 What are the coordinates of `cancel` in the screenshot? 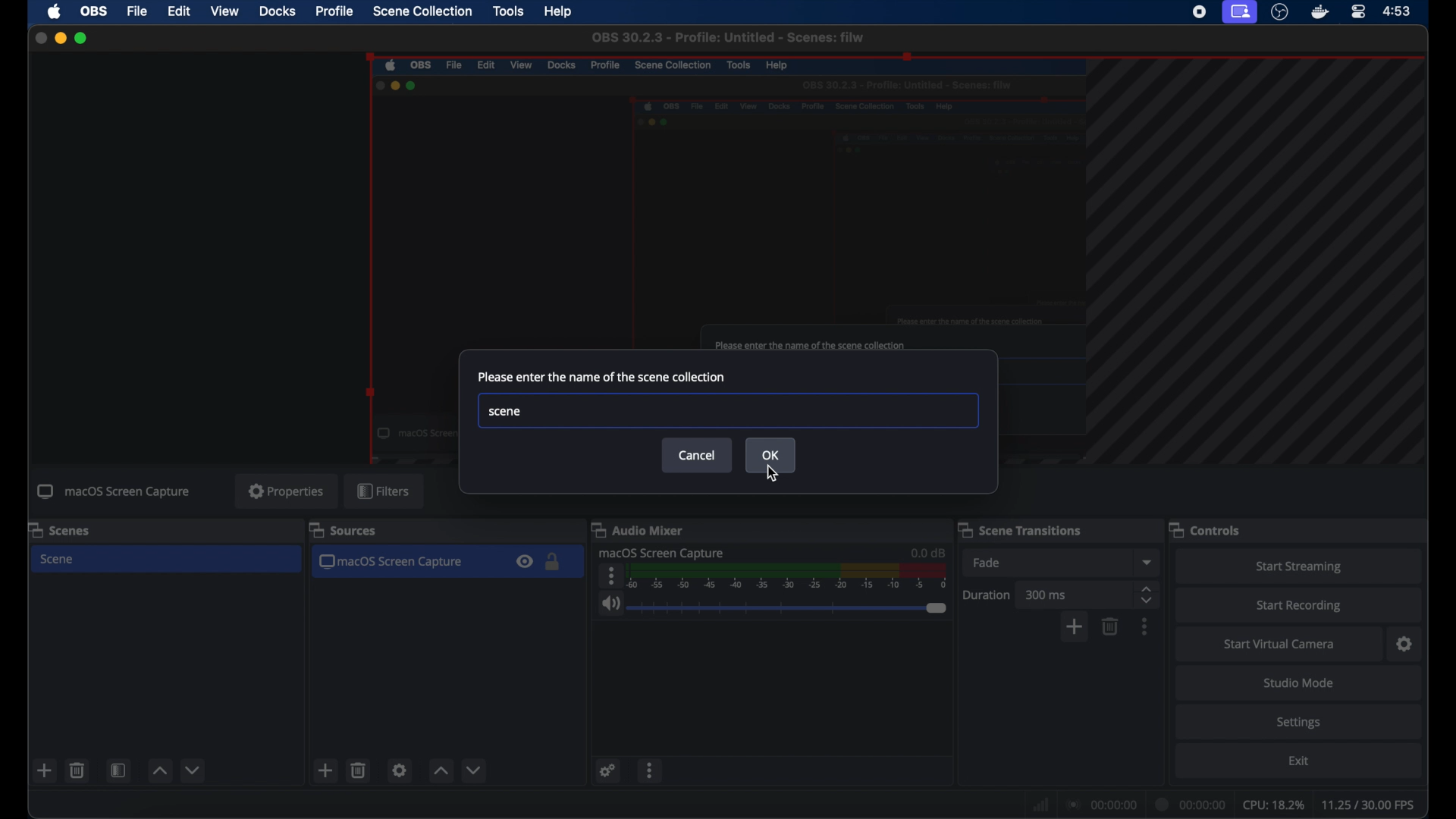 It's located at (698, 455).